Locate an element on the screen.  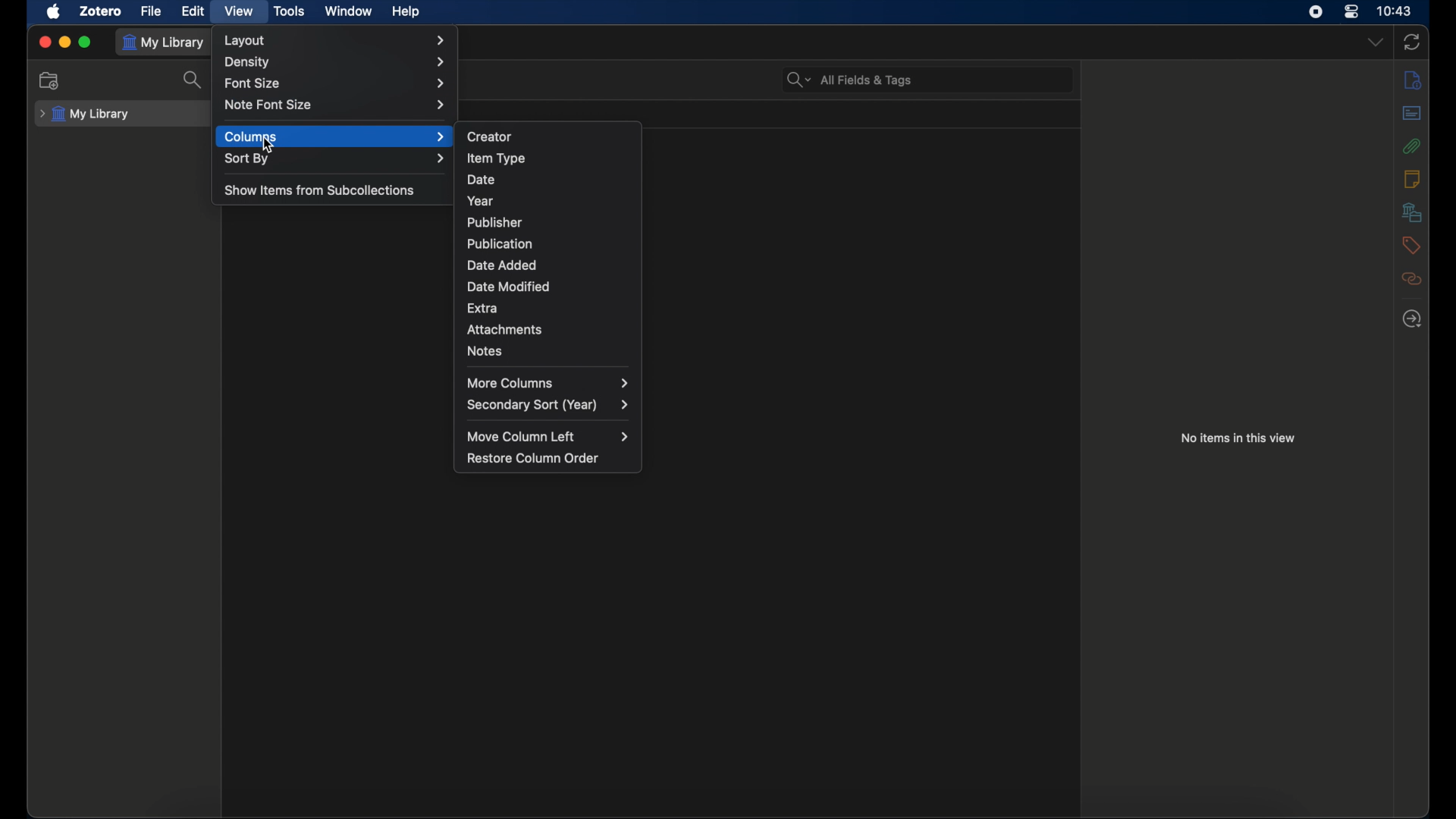
locate is located at coordinates (1412, 319).